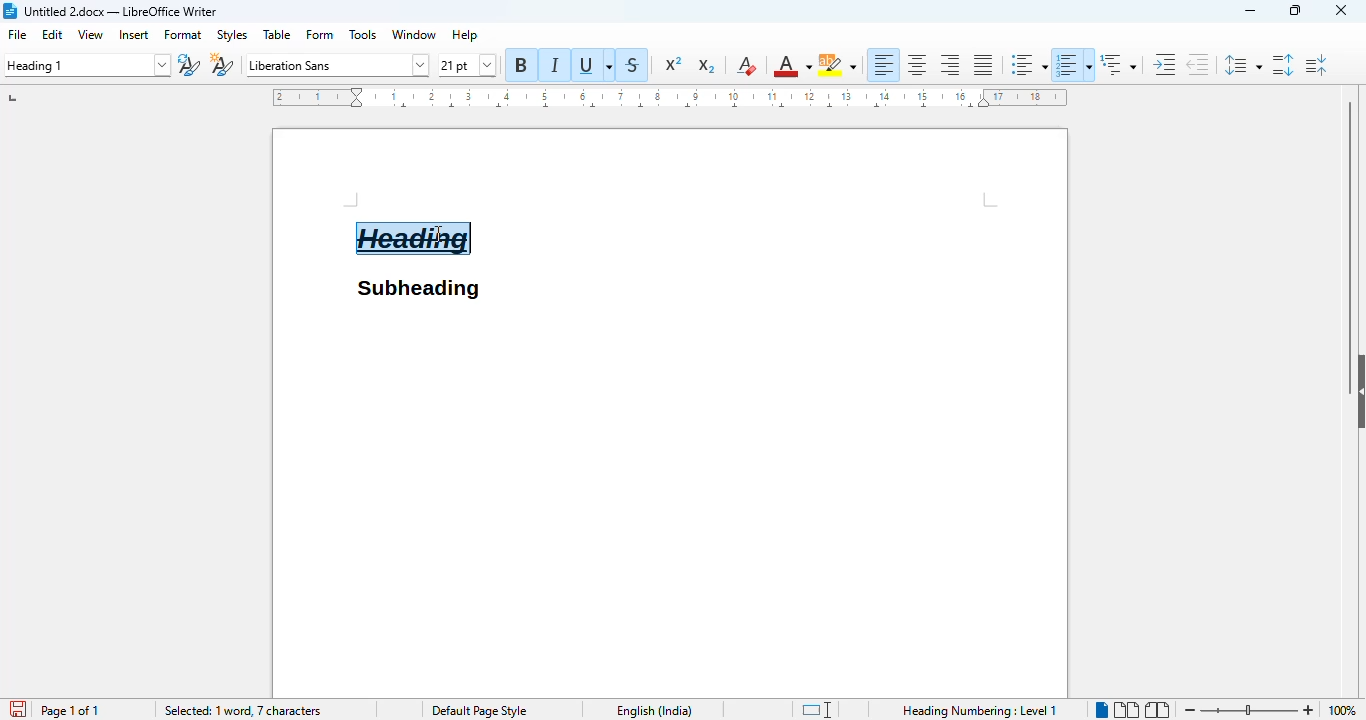  Describe the element at coordinates (189, 65) in the screenshot. I see `update selected style` at that location.